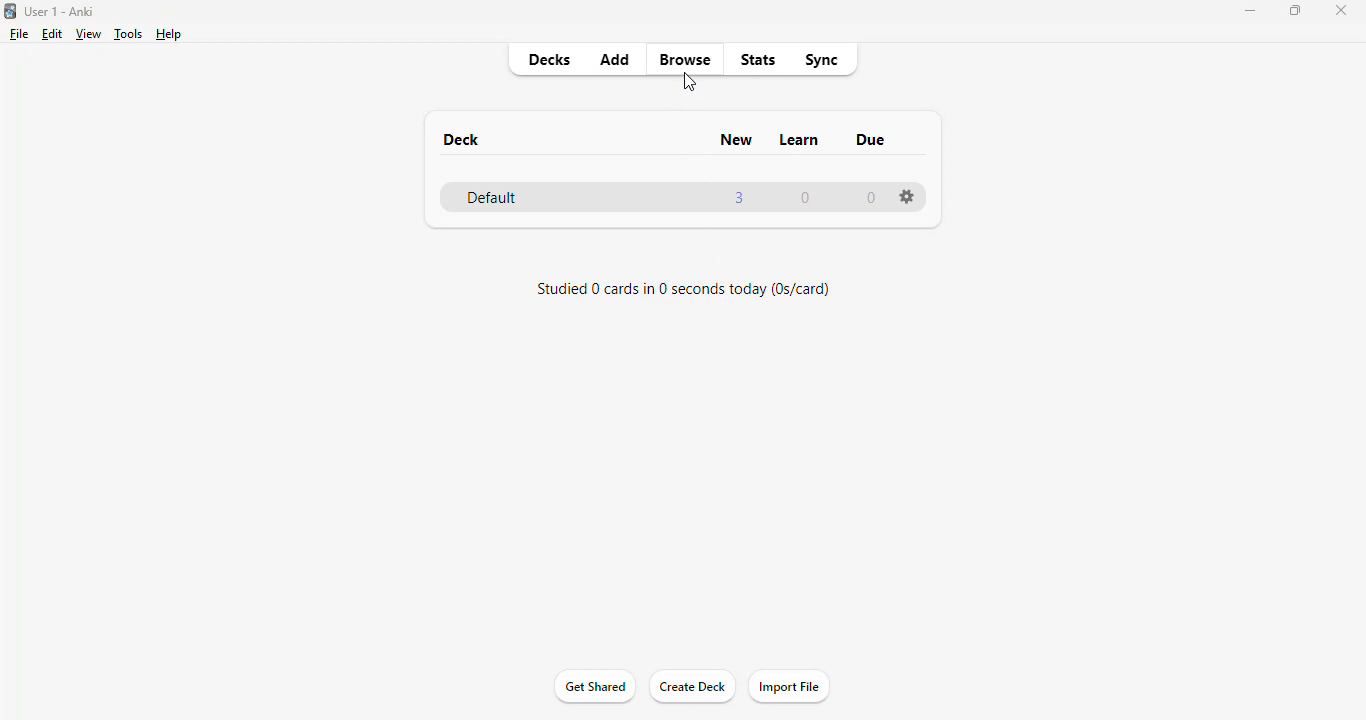 The image size is (1366, 720). Describe the element at coordinates (738, 198) in the screenshot. I see `3` at that location.